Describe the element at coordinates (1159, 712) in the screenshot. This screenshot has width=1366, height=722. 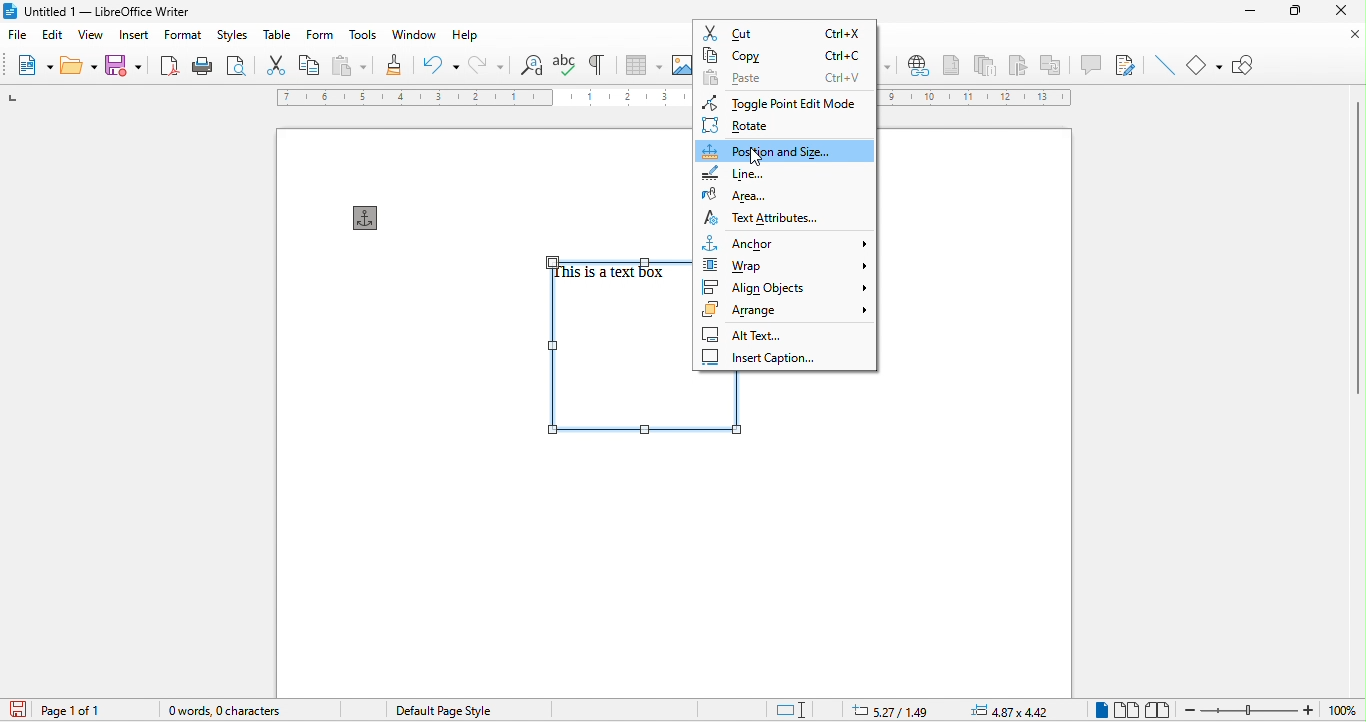
I see `book view` at that location.